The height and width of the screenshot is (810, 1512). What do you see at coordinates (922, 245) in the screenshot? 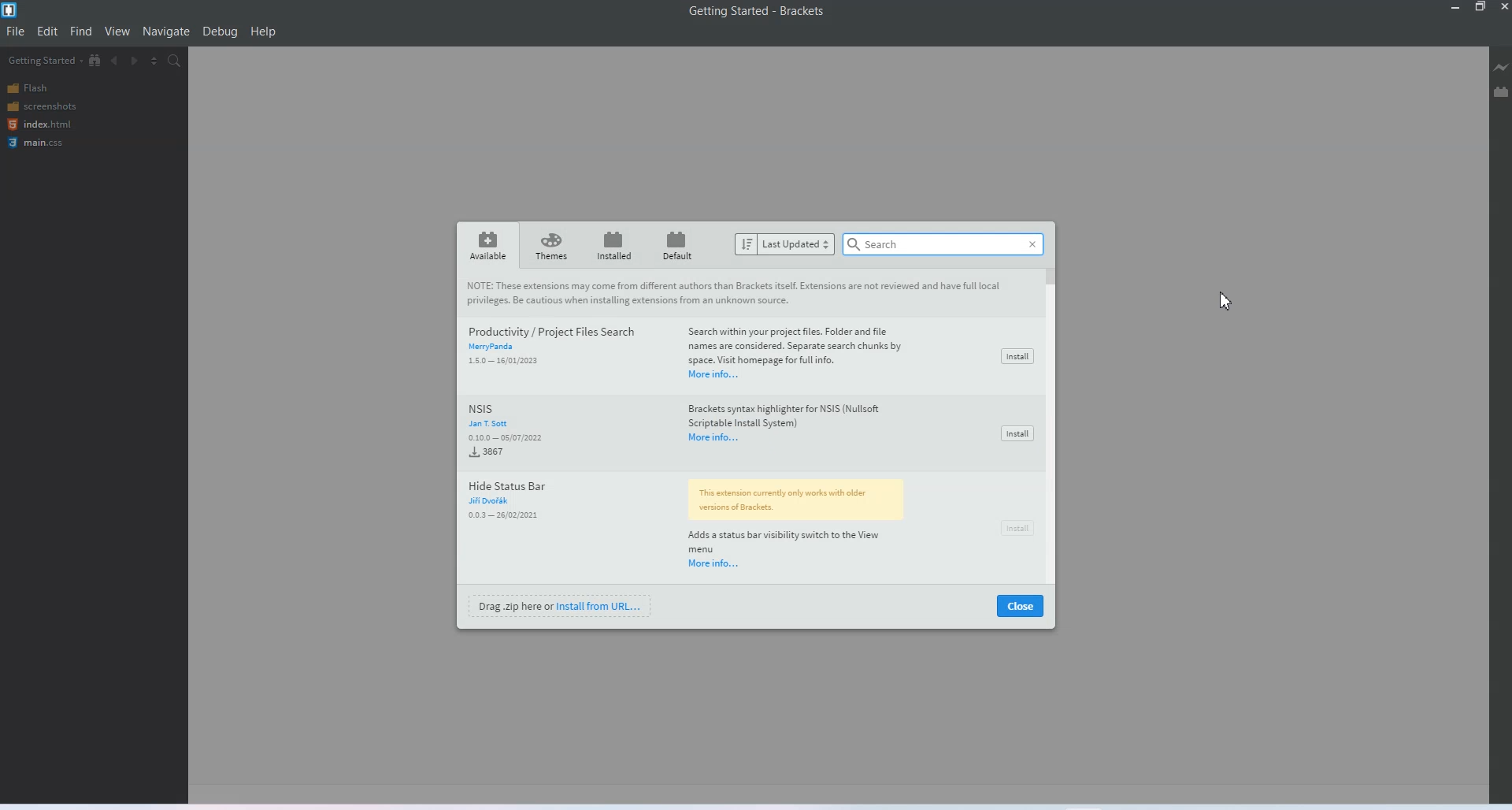
I see `Search bar` at bounding box center [922, 245].